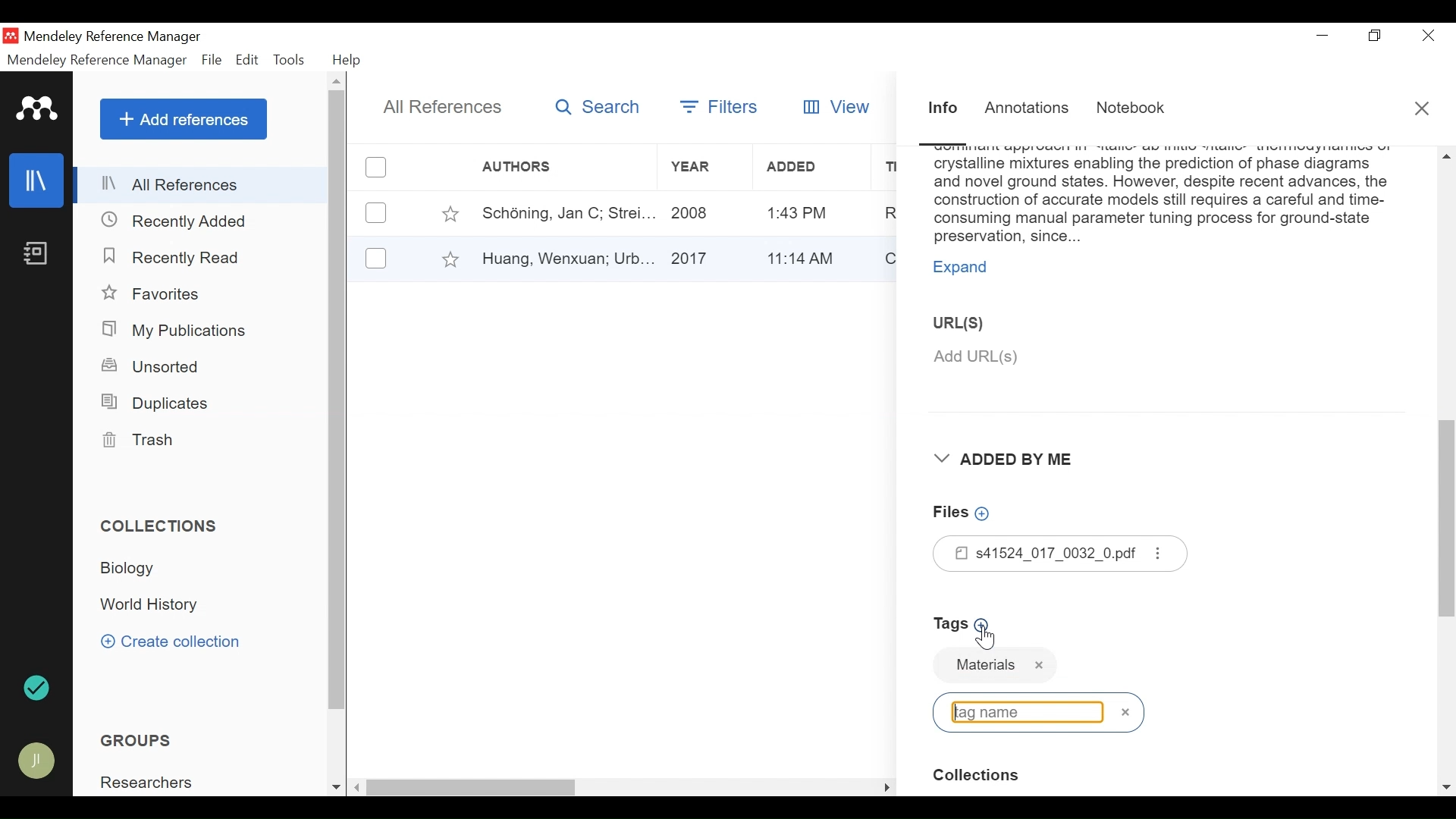  What do you see at coordinates (184, 119) in the screenshot?
I see `Add References` at bounding box center [184, 119].